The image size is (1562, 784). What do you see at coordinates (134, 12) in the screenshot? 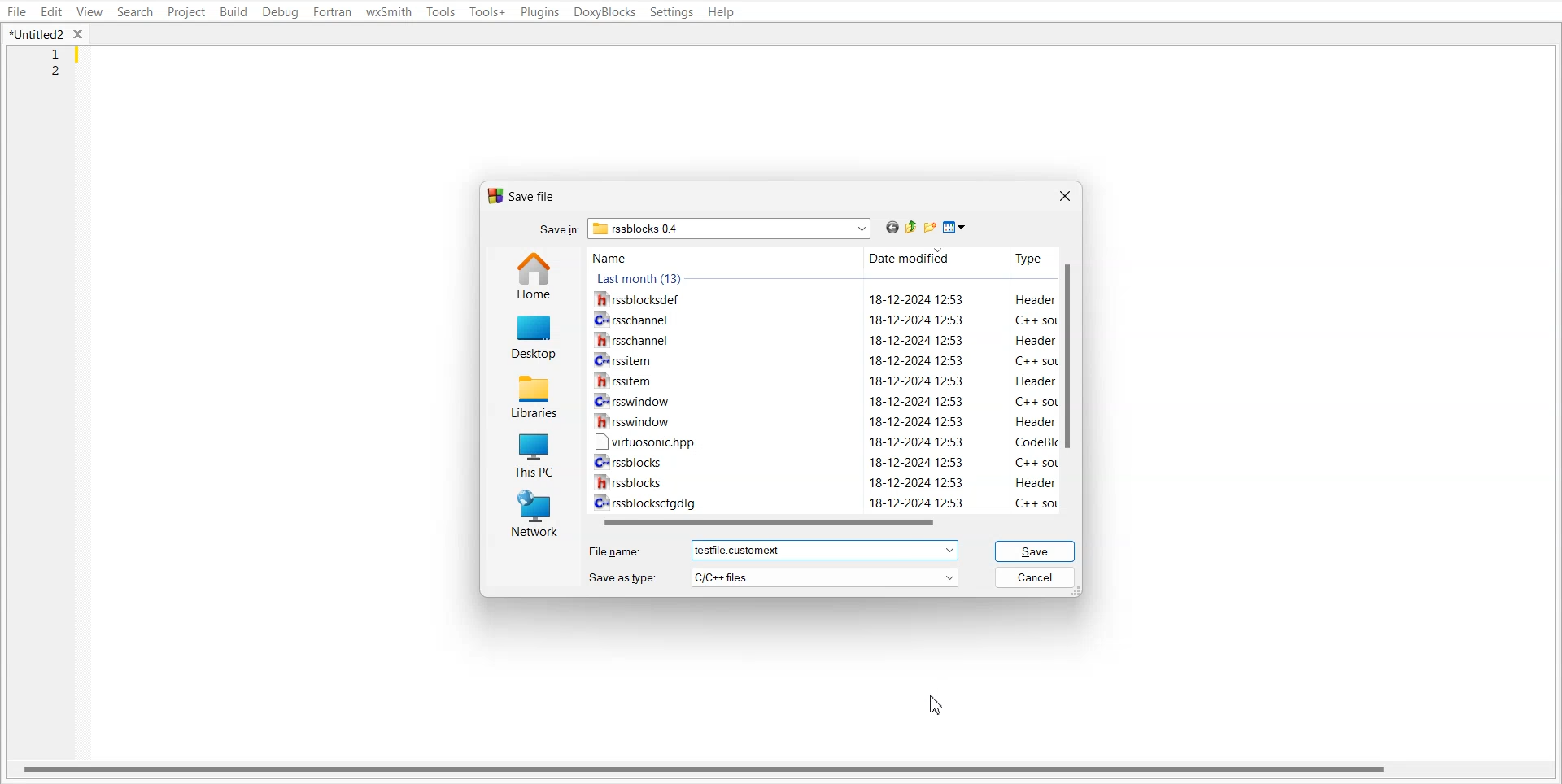
I see `Search` at bounding box center [134, 12].